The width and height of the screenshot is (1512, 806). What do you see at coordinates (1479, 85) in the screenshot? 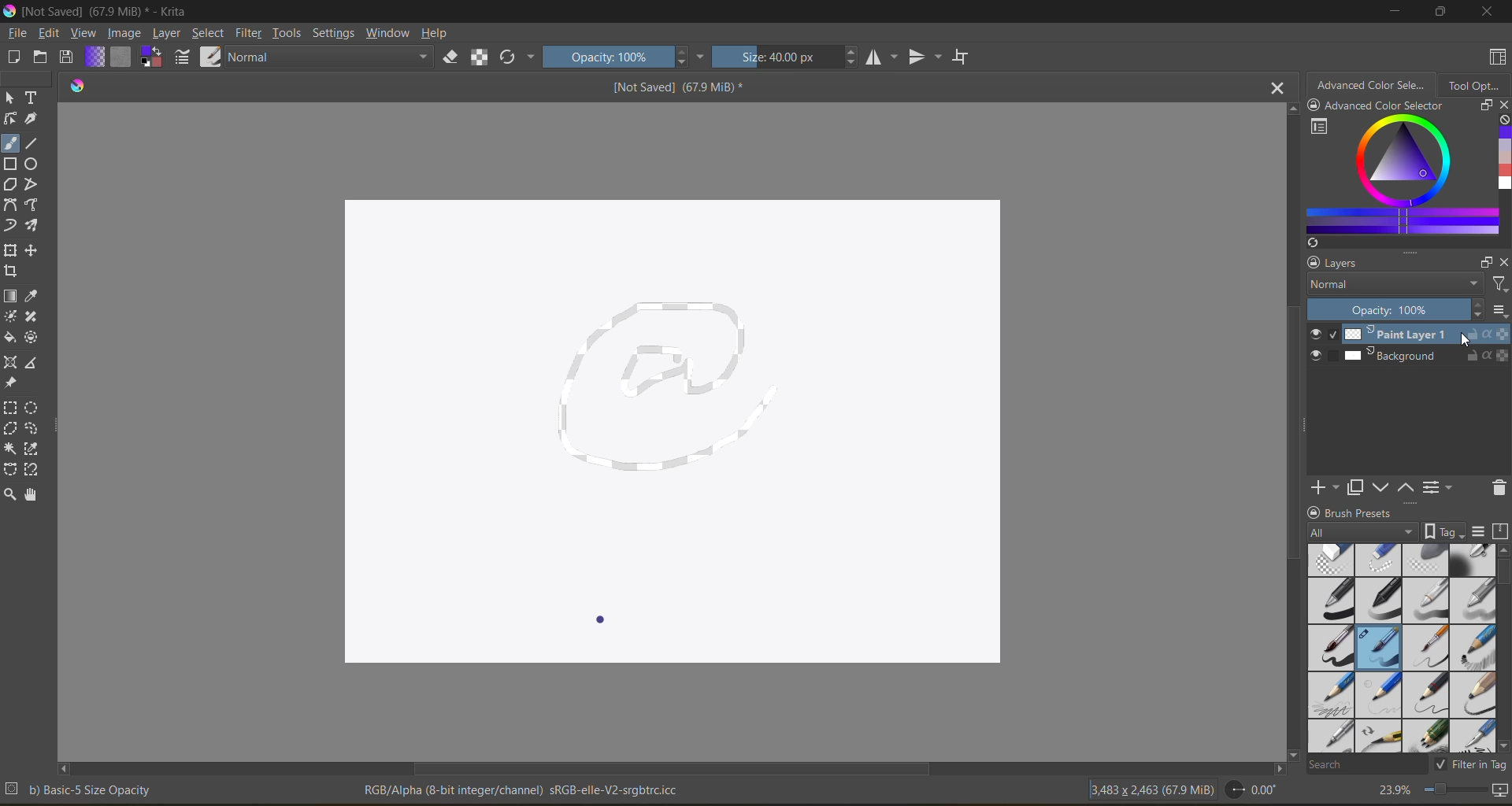
I see `tool options` at bounding box center [1479, 85].